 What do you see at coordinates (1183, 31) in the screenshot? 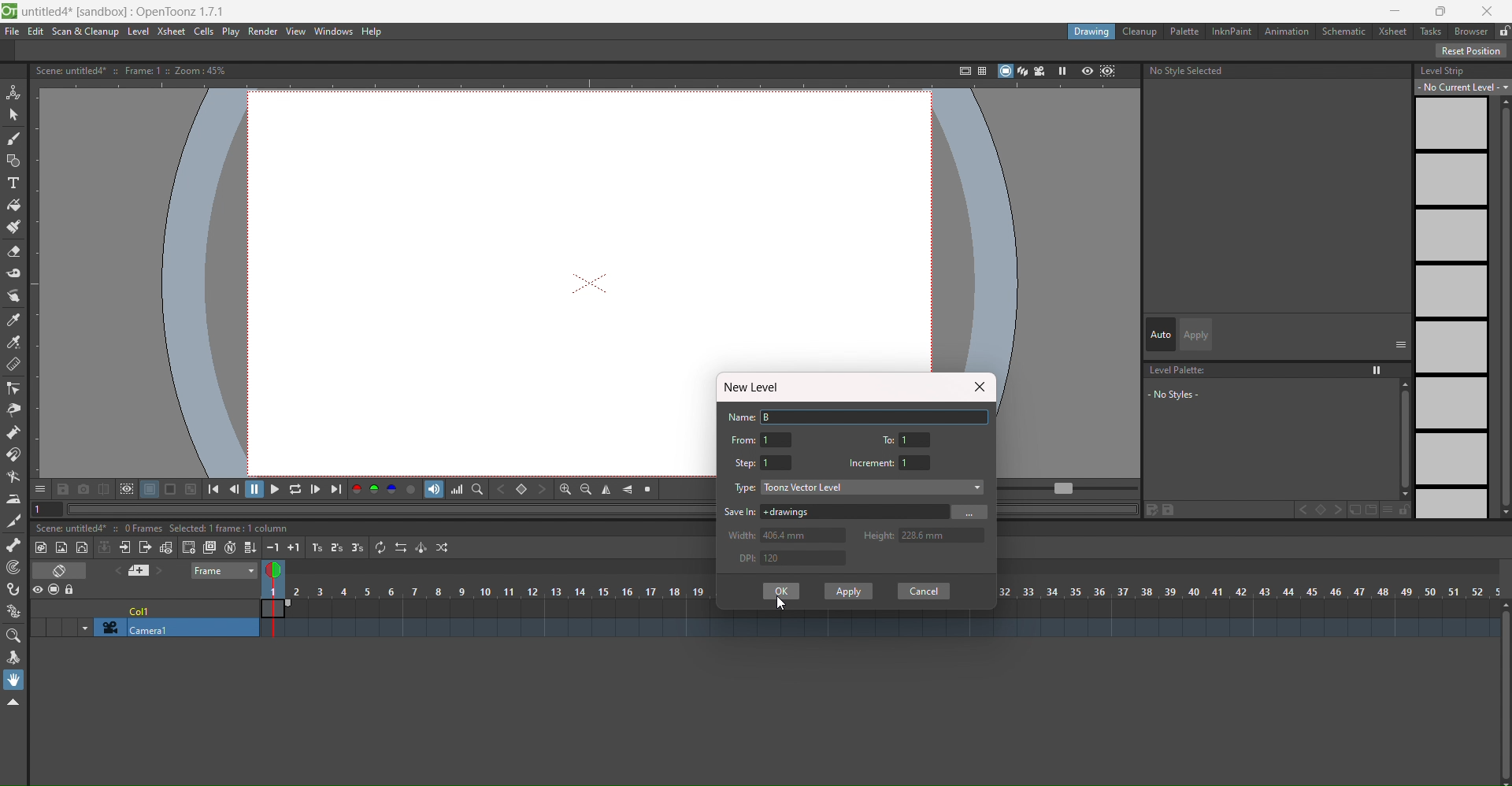
I see `palette` at bounding box center [1183, 31].